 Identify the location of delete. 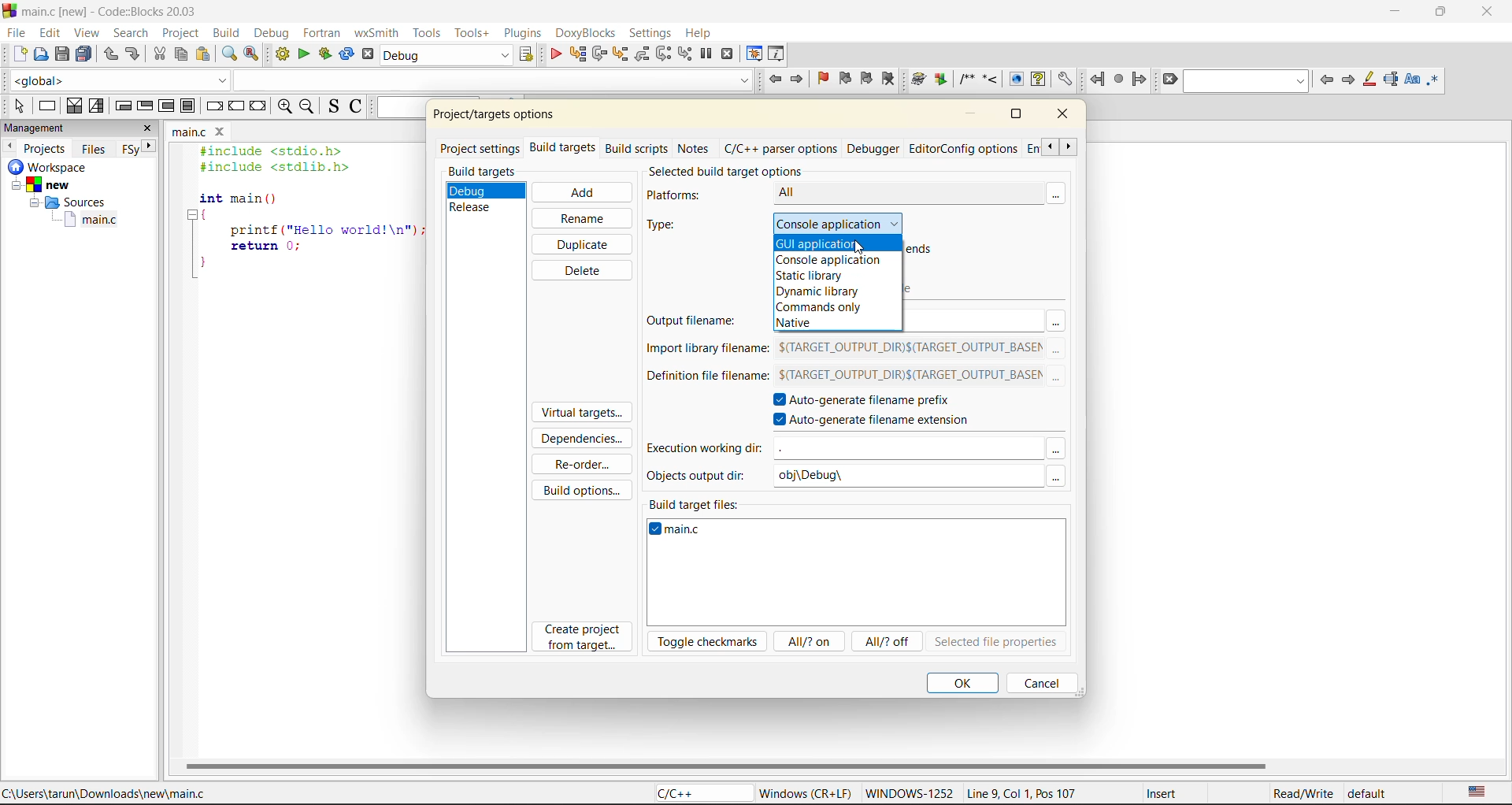
(586, 270).